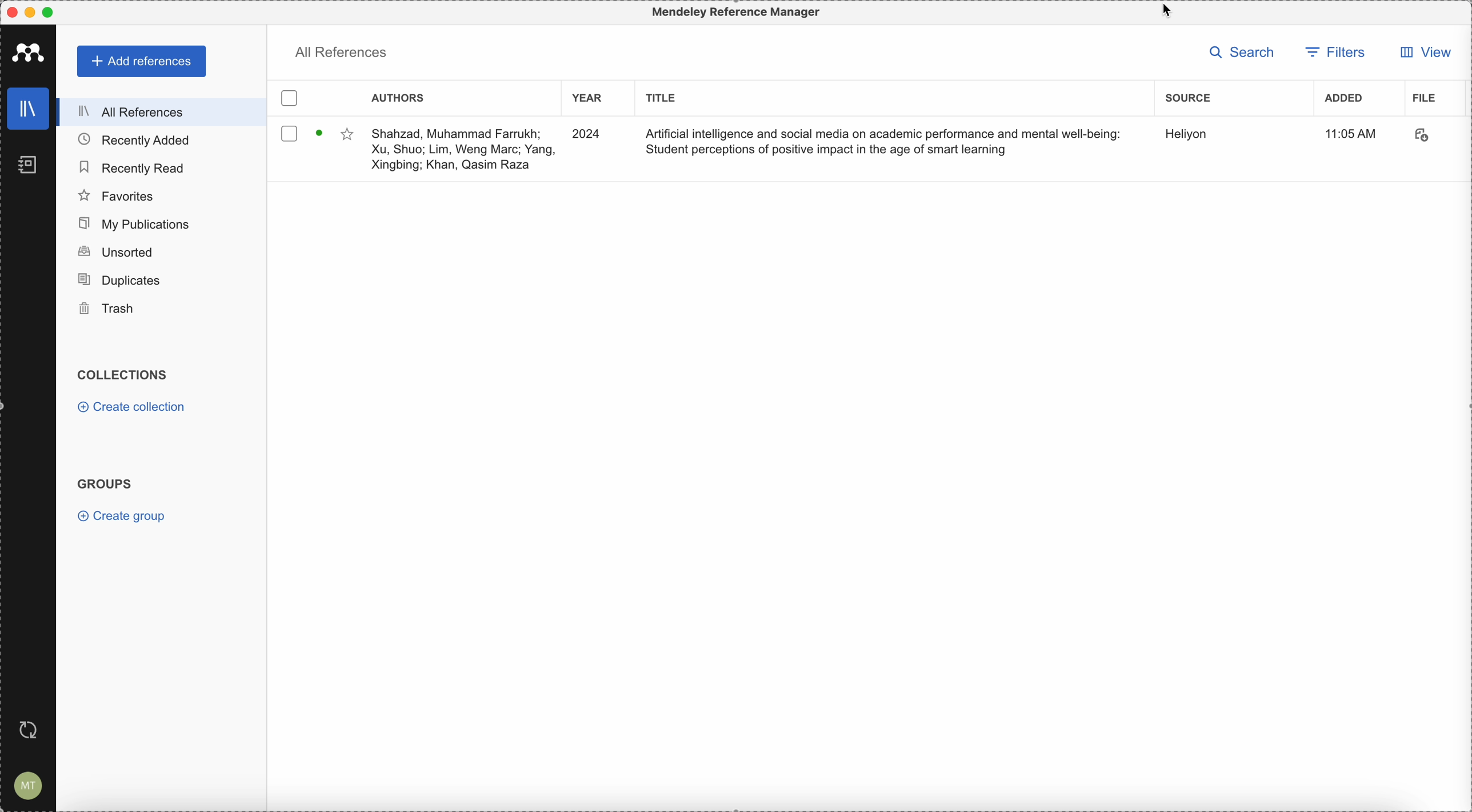  What do you see at coordinates (107, 484) in the screenshot?
I see `groups` at bounding box center [107, 484].